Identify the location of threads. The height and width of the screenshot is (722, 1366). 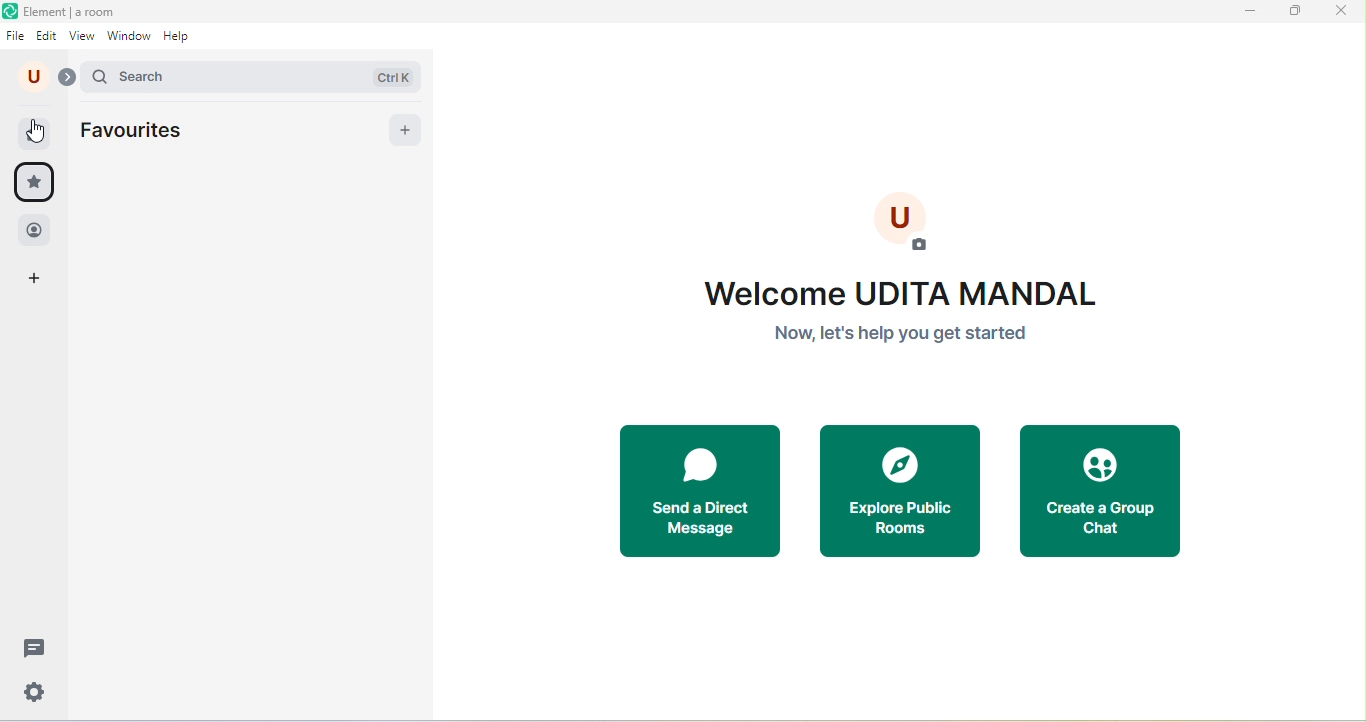
(31, 647).